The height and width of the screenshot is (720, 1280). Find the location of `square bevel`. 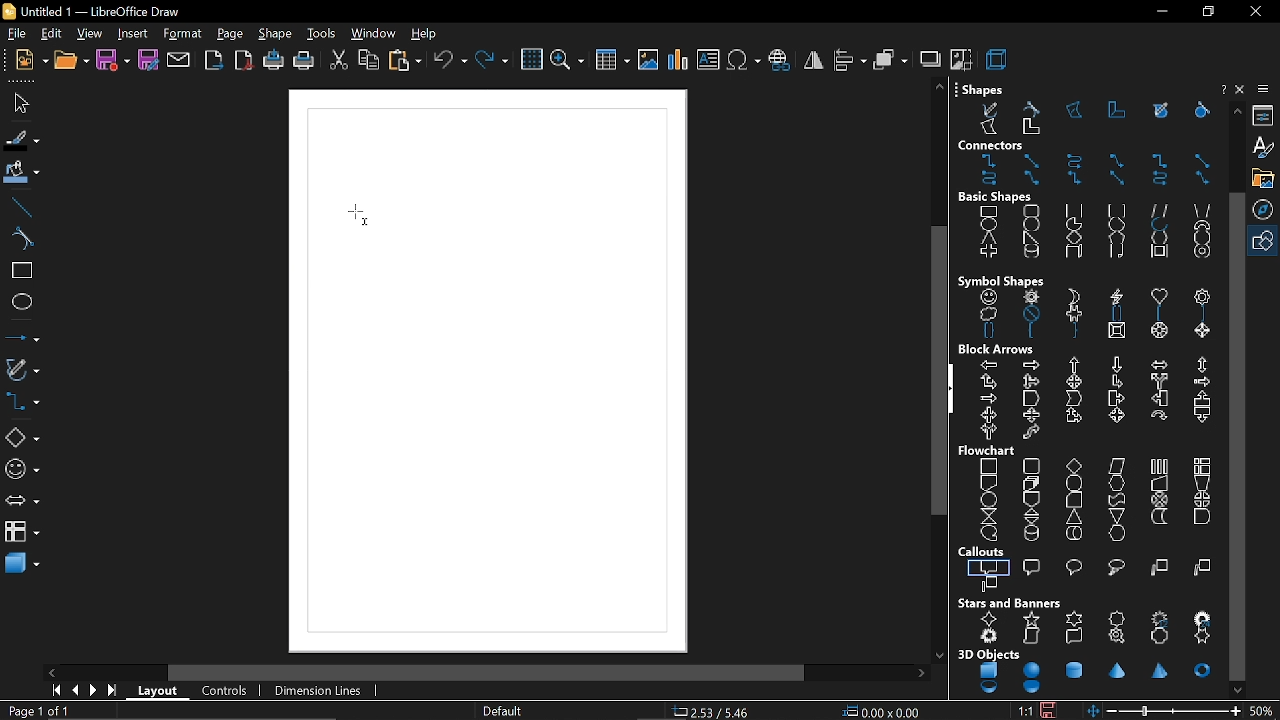

square bevel is located at coordinates (1117, 333).